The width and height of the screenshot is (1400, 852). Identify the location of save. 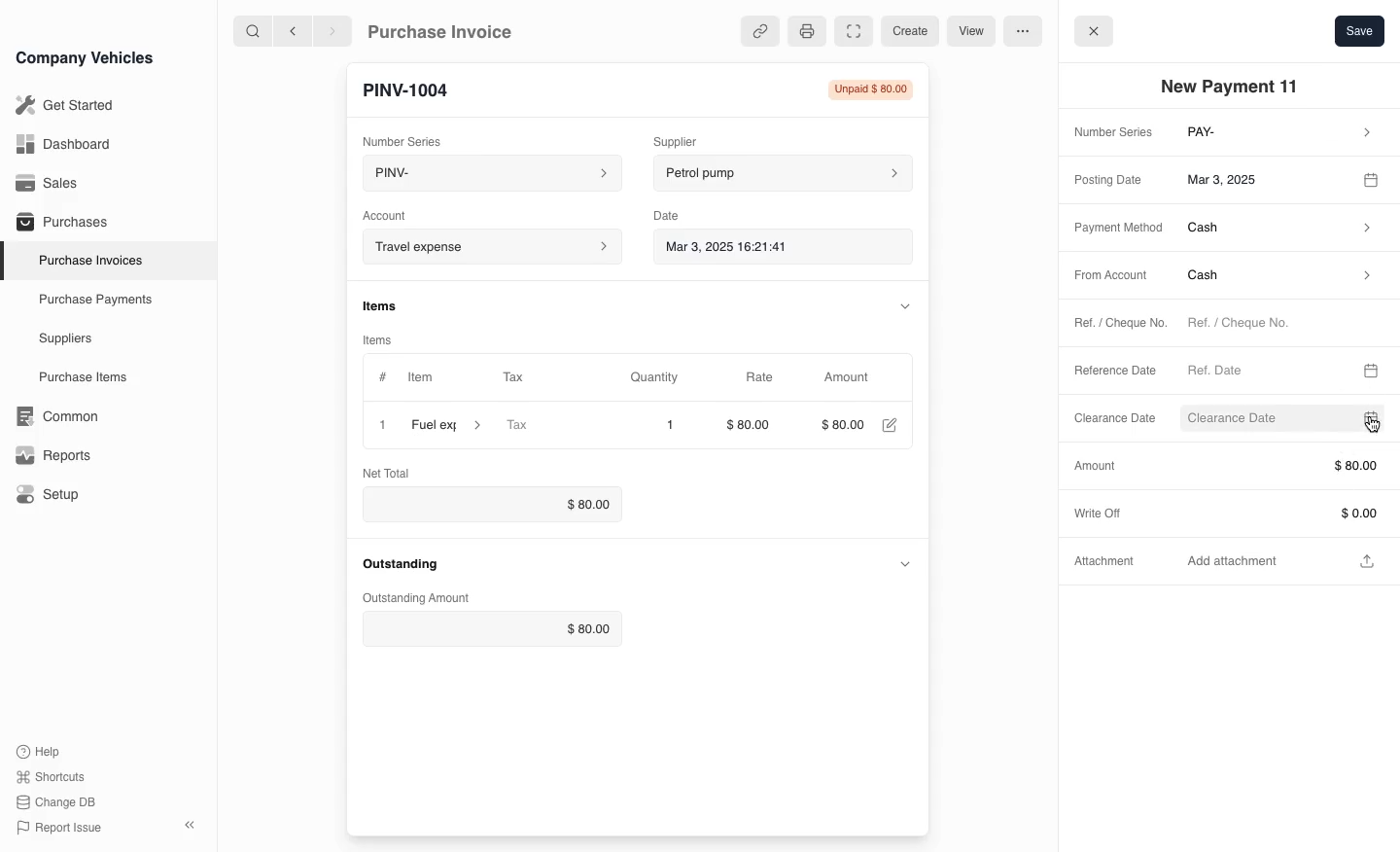
(1359, 30).